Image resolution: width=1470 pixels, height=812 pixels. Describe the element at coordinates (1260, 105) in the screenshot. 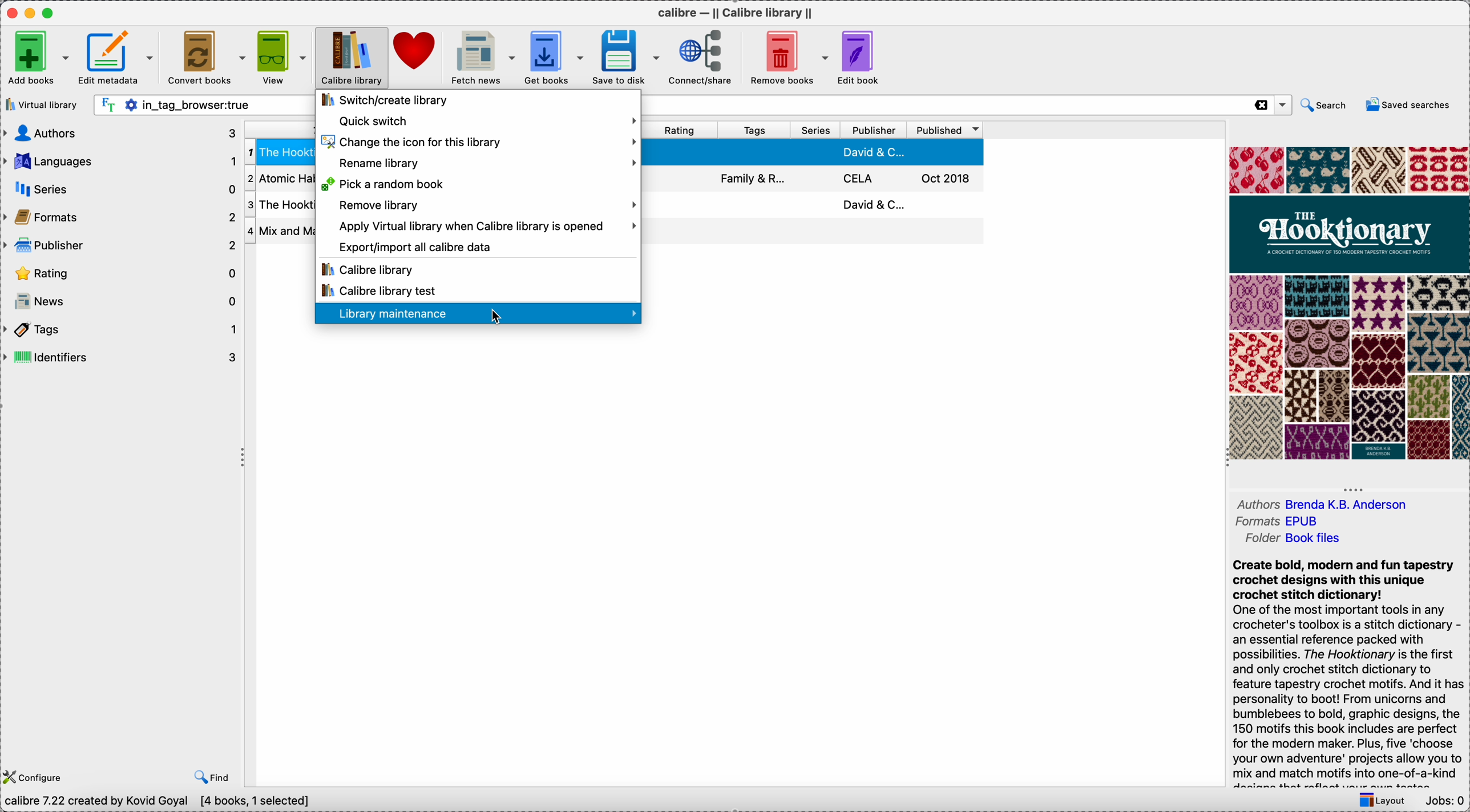

I see `close` at that location.